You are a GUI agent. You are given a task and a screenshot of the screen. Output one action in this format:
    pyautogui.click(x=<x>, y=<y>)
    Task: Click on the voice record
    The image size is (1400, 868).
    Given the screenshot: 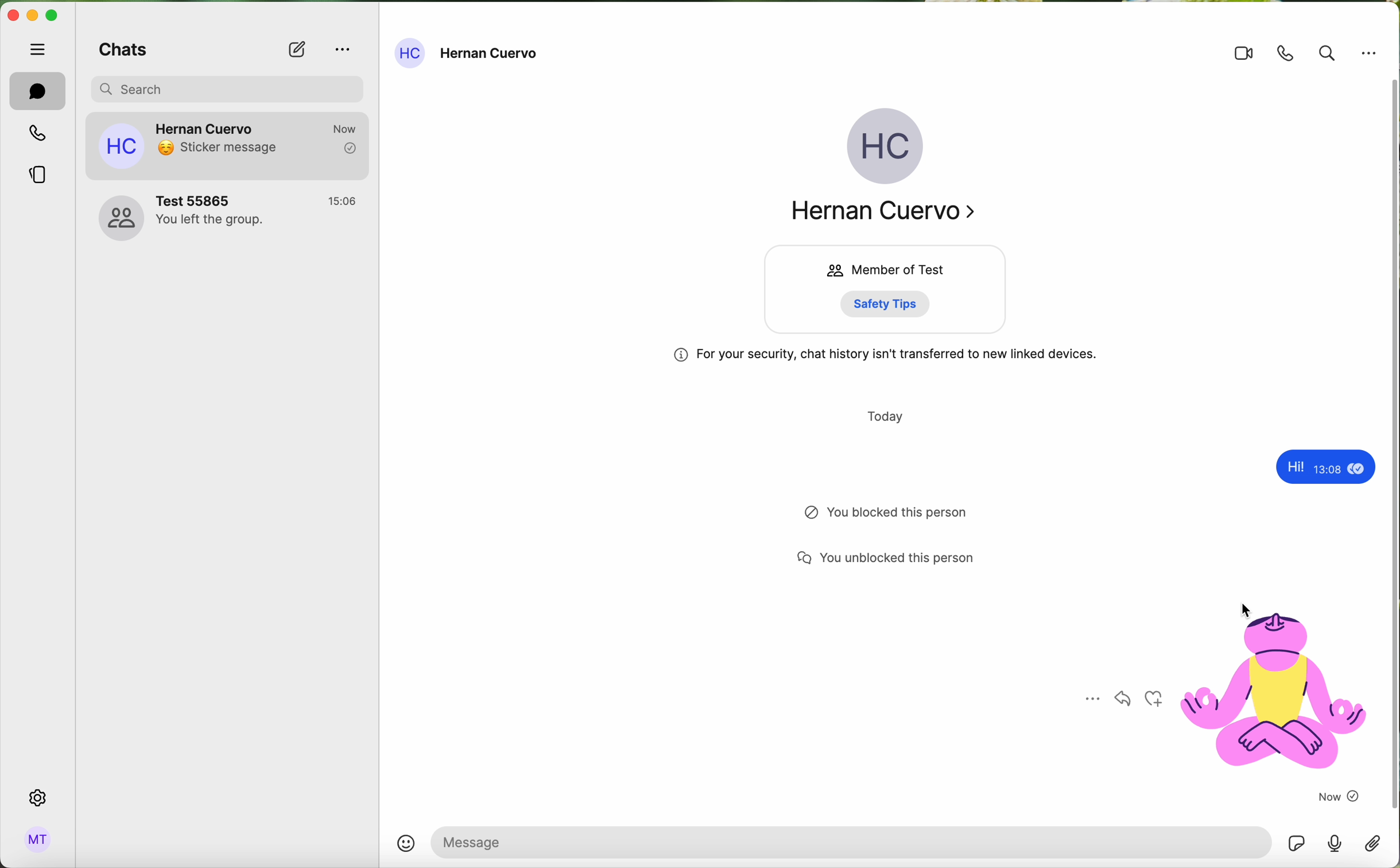 What is the action you would take?
    pyautogui.click(x=1335, y=847)
    